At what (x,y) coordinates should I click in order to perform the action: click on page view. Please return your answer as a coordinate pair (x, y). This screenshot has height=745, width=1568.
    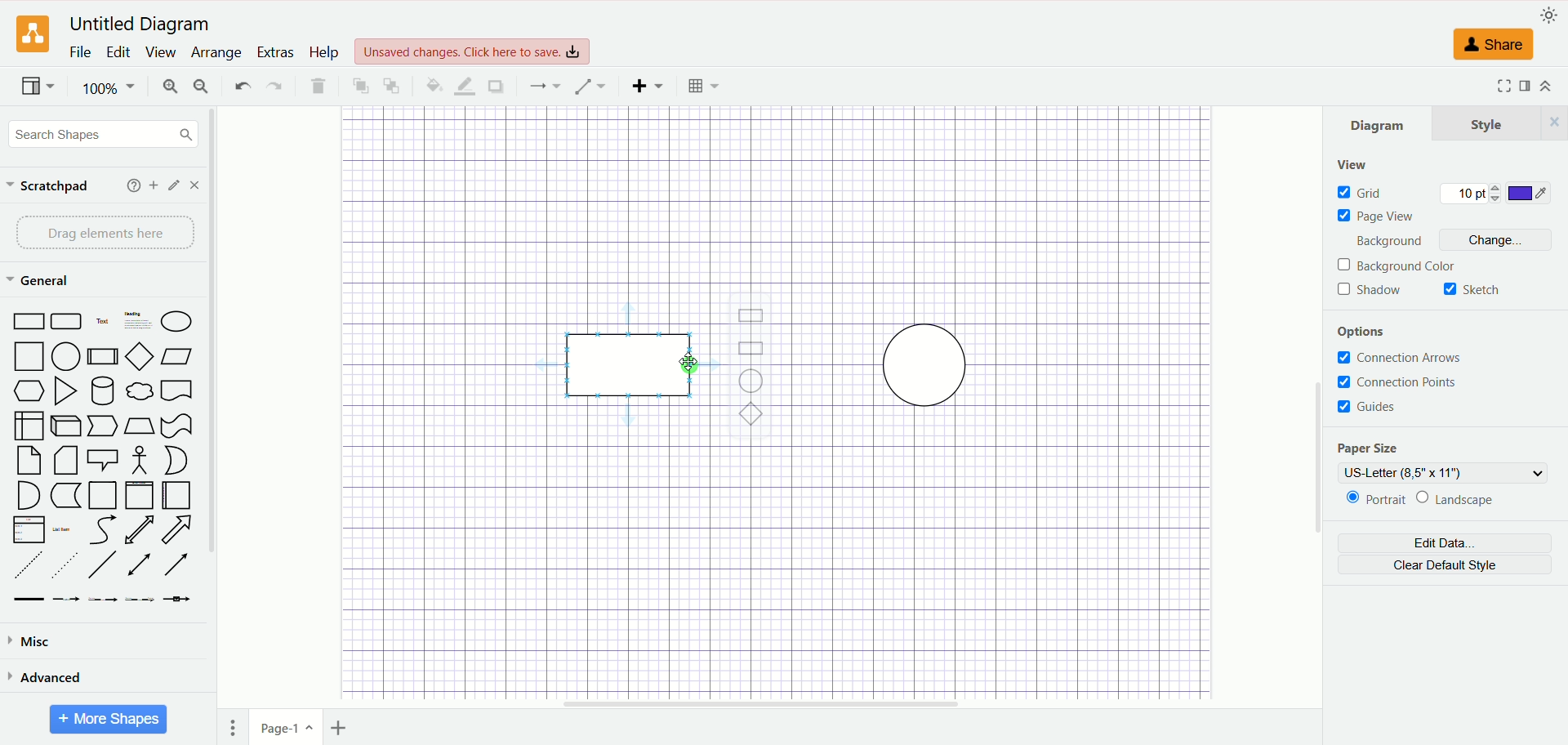
    Looking at the image, I should click on (1376, 216).